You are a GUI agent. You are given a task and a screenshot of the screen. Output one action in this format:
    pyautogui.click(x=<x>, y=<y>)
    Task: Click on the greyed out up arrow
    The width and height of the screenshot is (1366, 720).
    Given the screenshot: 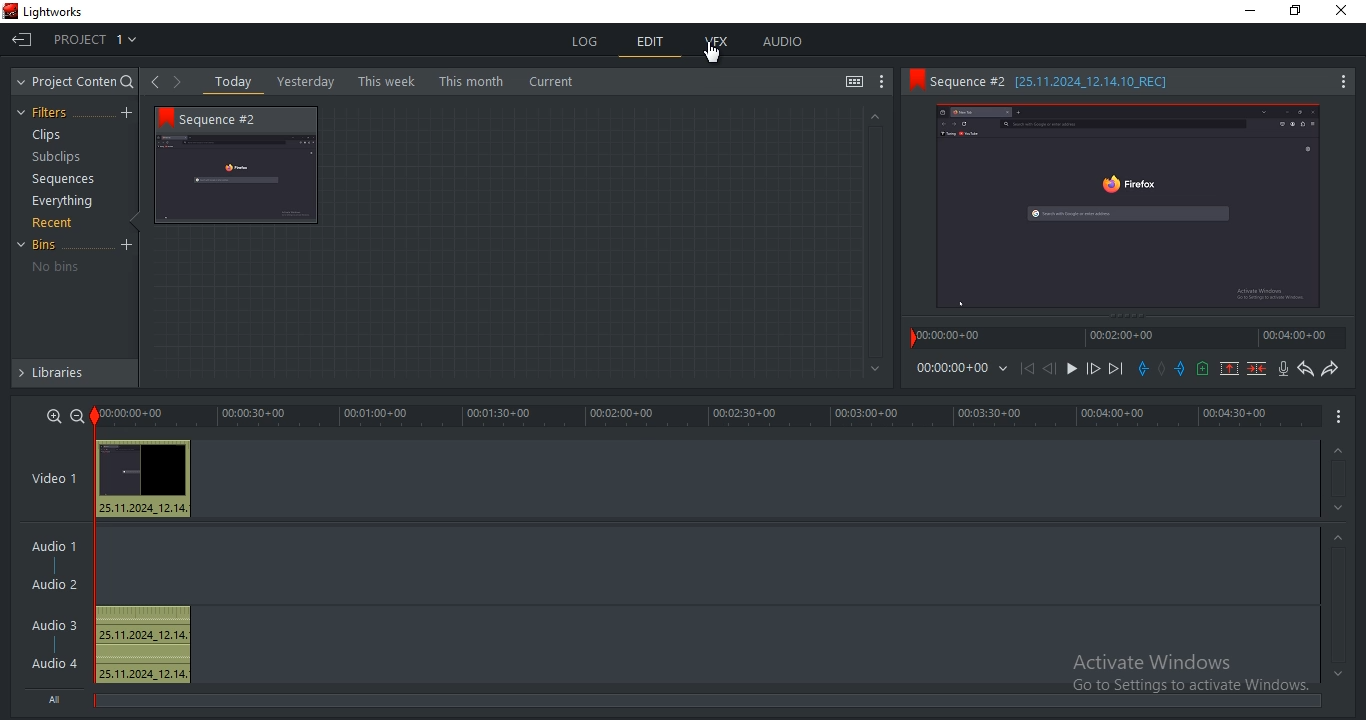 What is the action you would take?
    pyautogui.click(x=1339, y=450)
    